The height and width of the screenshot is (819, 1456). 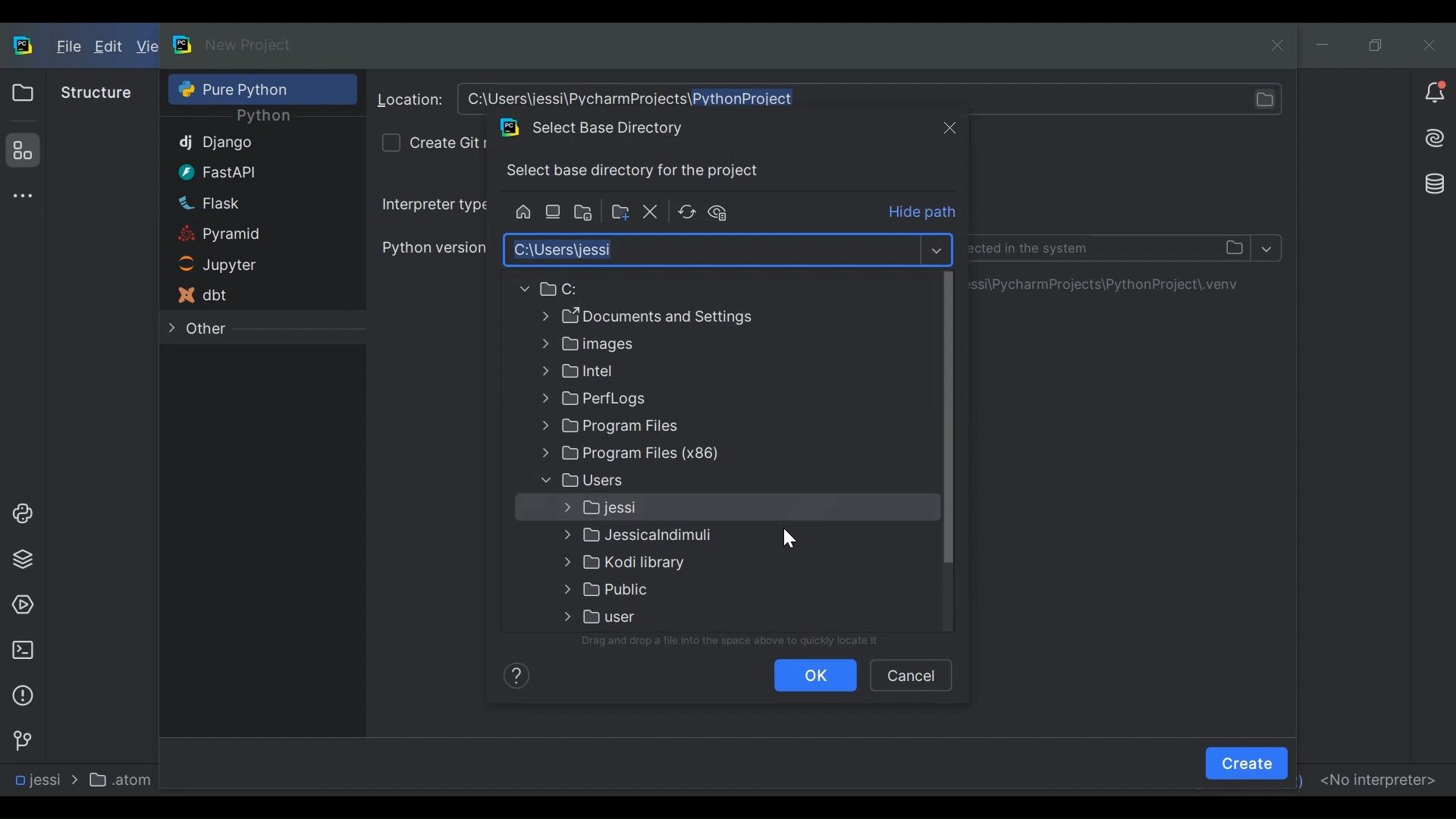 I want to click on Pure Python, so click(x=242, y=89).